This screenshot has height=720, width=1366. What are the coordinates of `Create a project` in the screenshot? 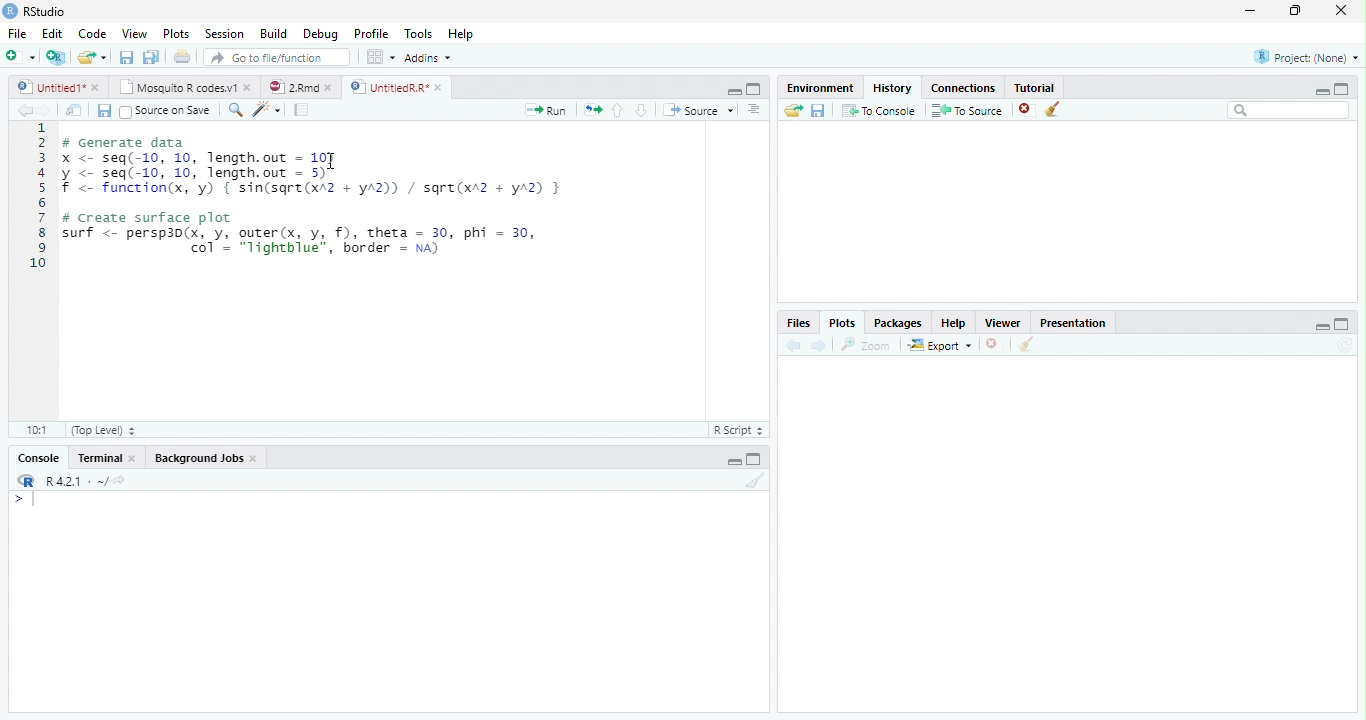 It's located at (54, 57).